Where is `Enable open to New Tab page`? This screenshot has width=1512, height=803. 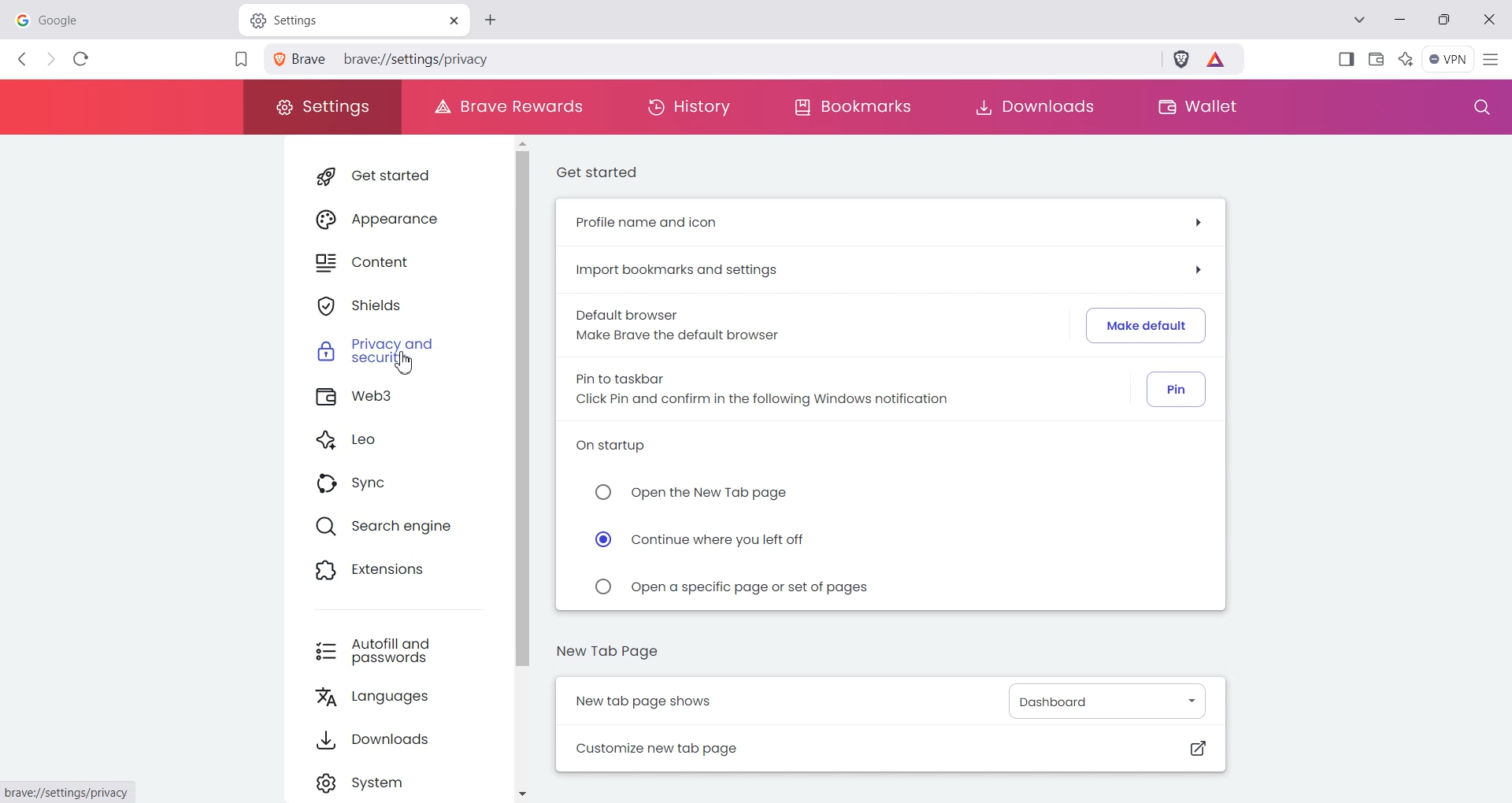 Enable open to New Tab page is located at coordinates (706, 493).